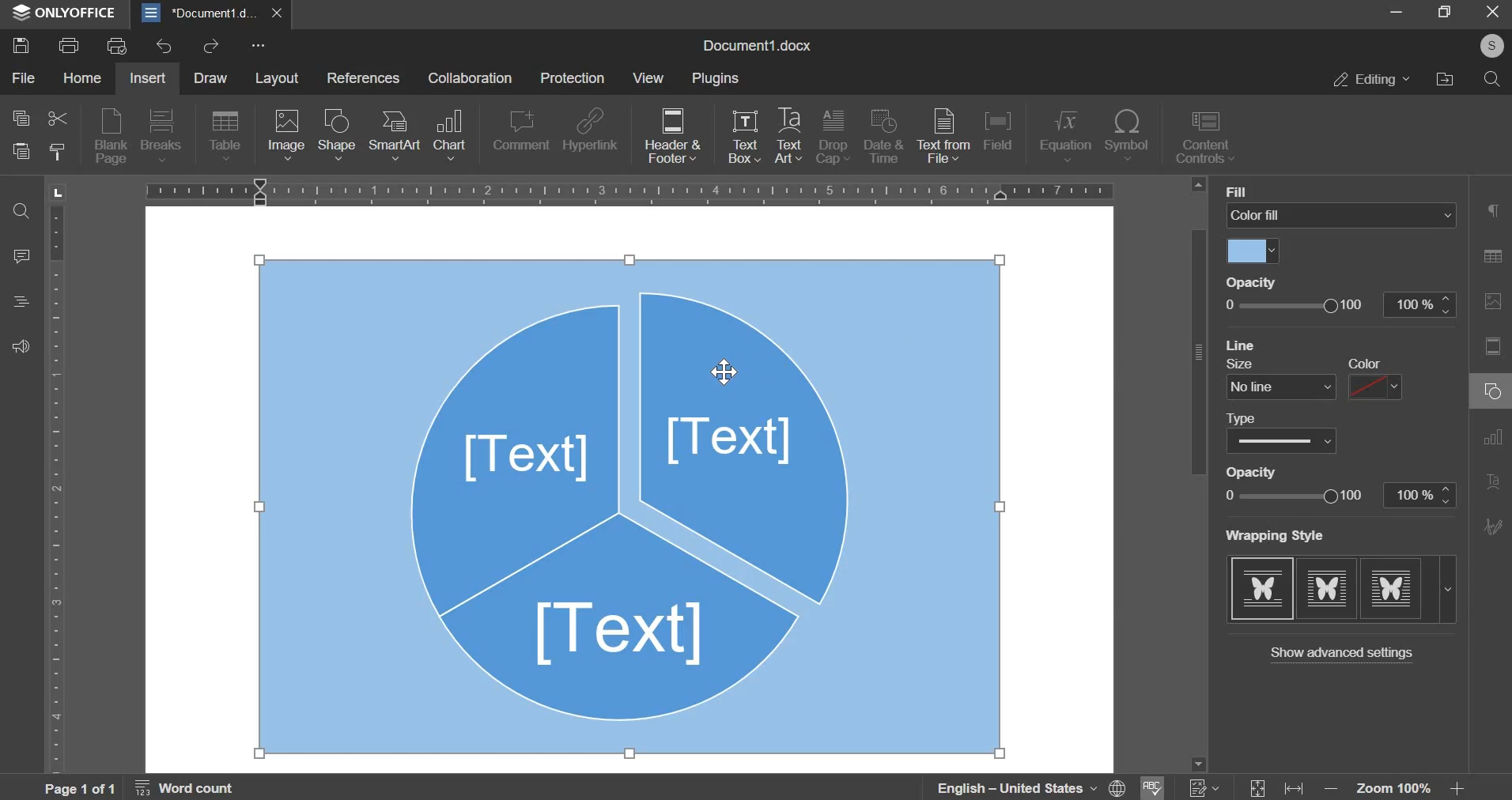 The height and width of the screenshot is (800, 1512). Describe the element at coordinates (68, 44) in the screenshot. I see `print` at that location.